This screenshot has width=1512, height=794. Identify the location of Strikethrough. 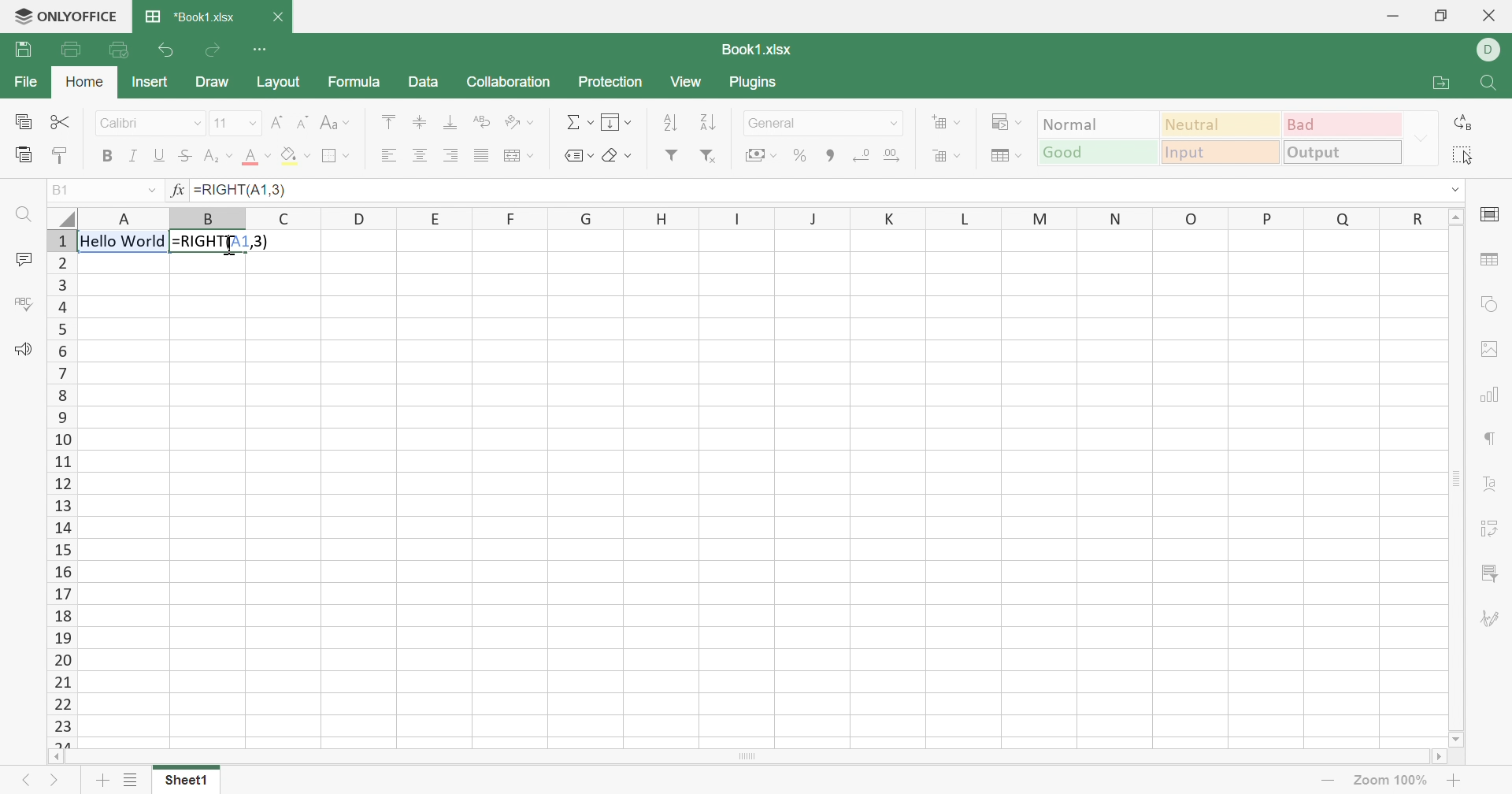
(184, 154).